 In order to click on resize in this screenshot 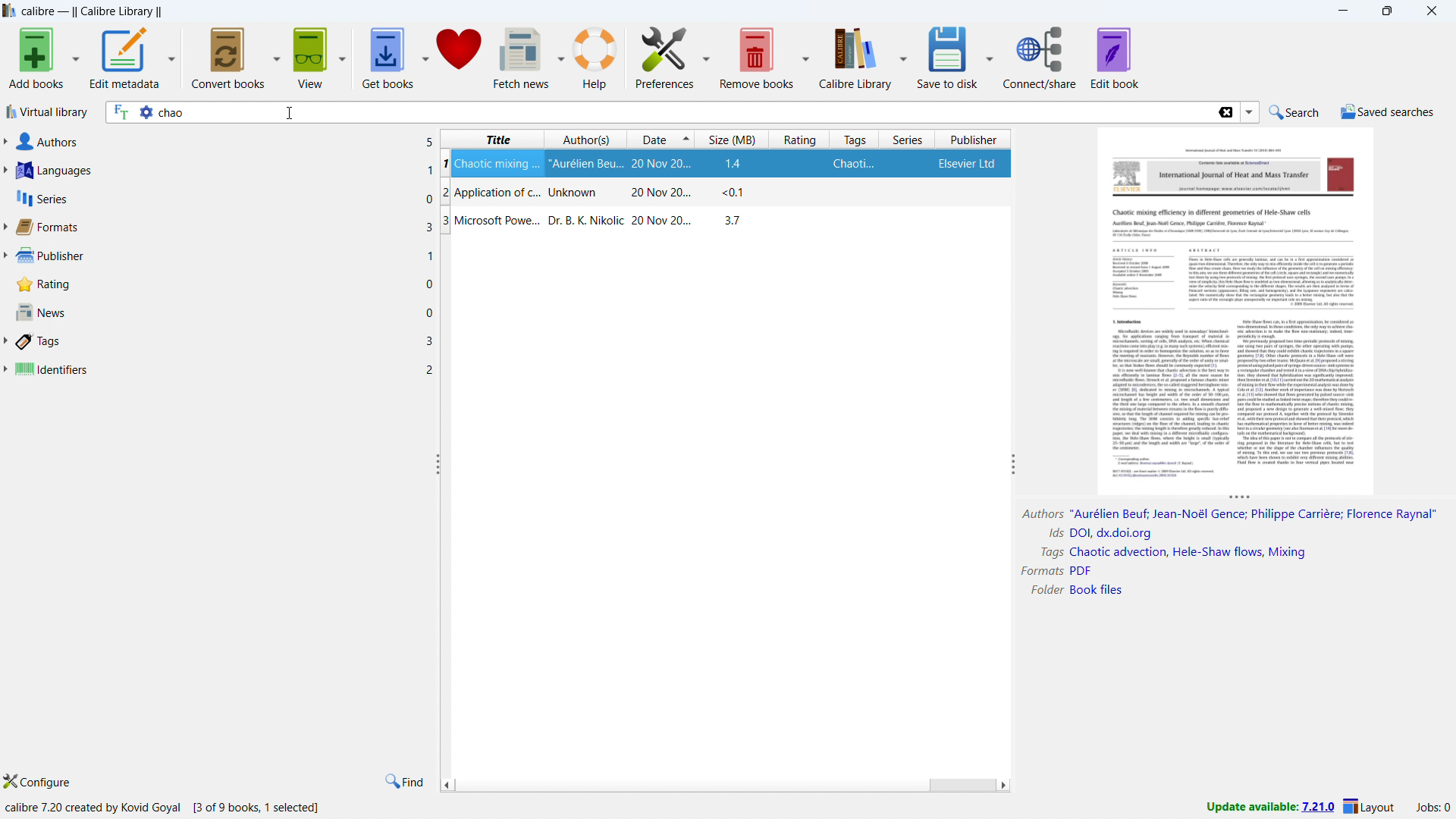, I will do `click(1241, 498)`.